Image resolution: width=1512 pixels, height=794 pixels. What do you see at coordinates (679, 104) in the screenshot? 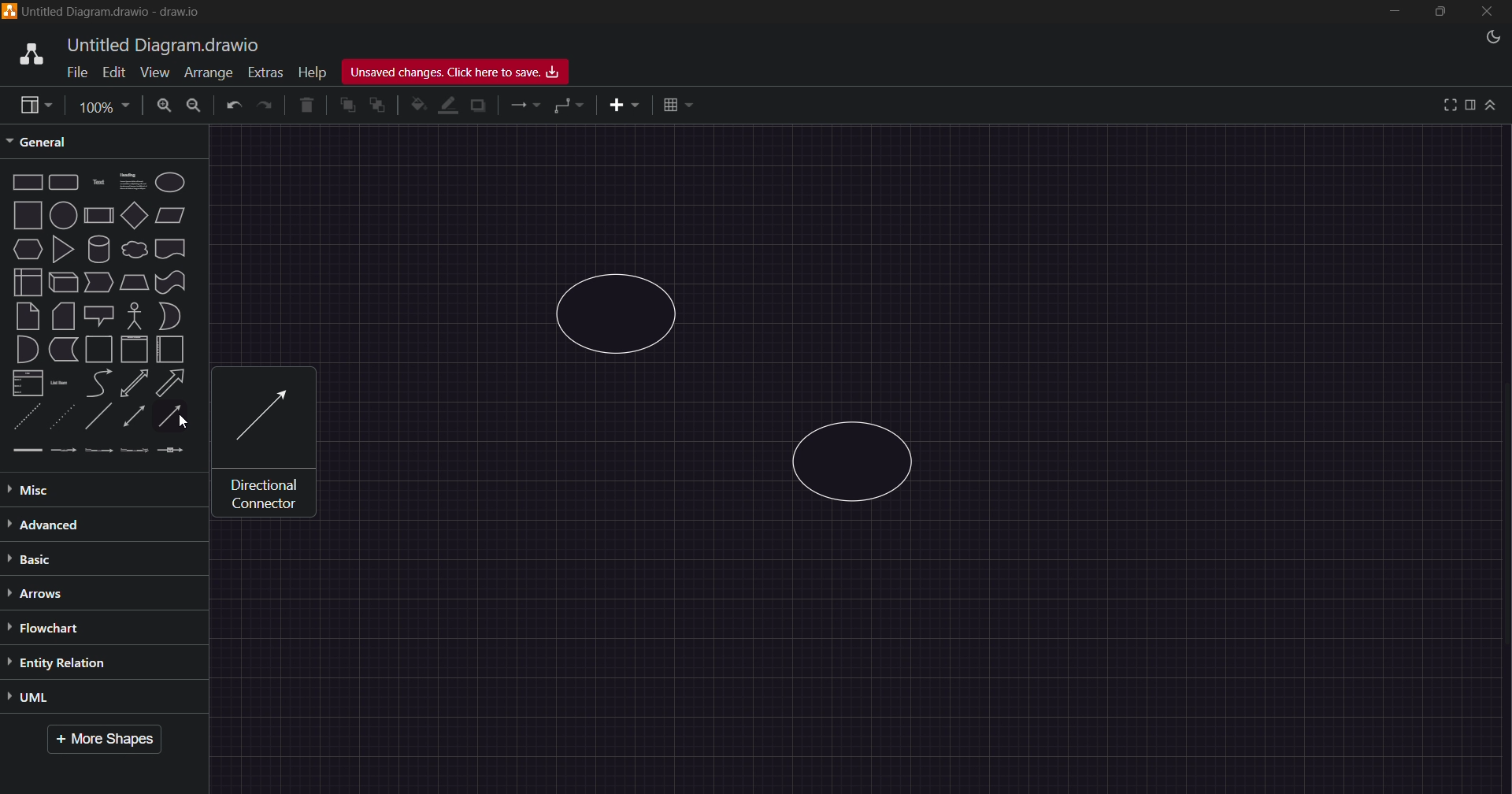
I see `table` at bounding box center [679, 104].